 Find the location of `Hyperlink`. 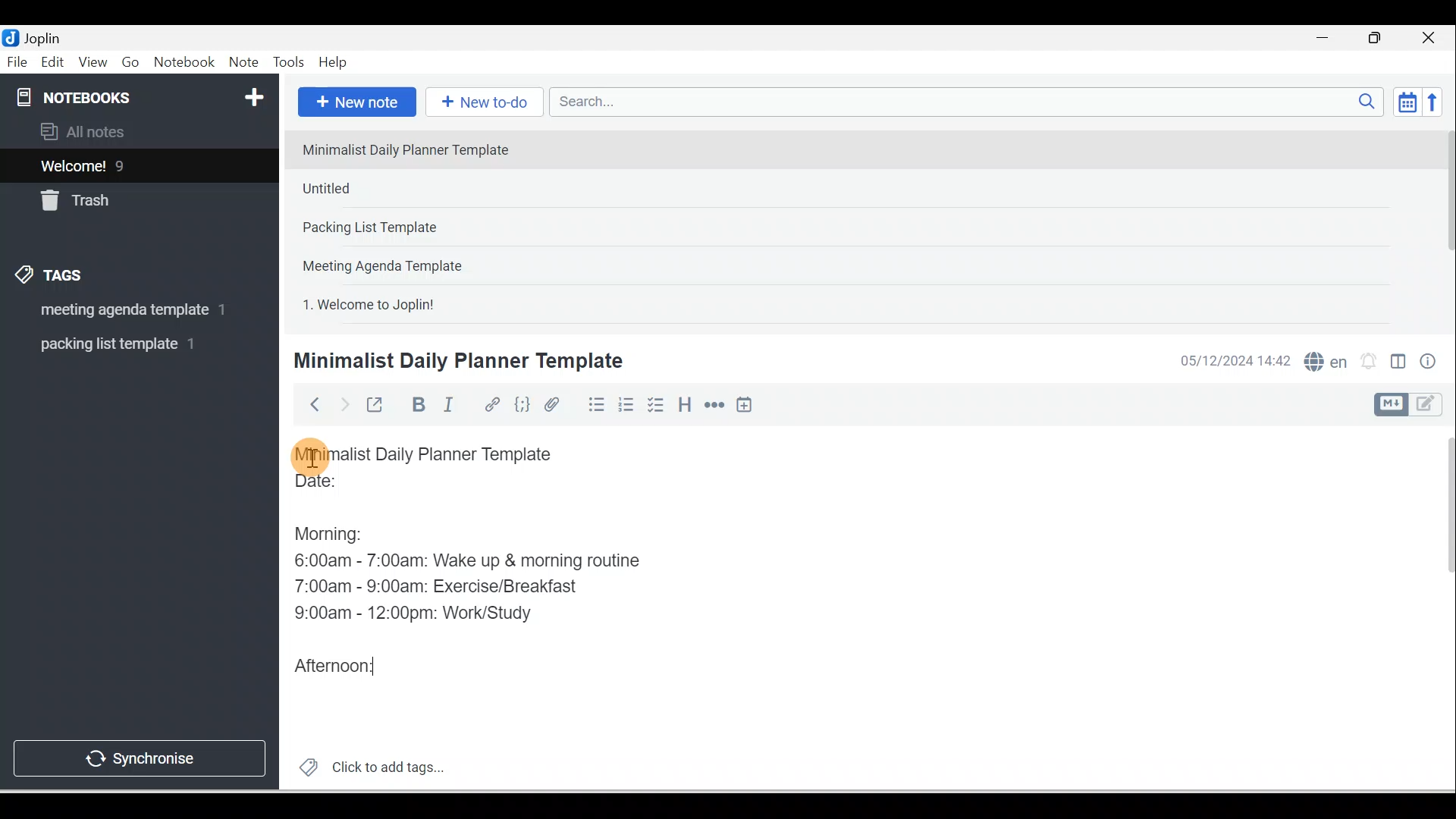

Hyperlink is located at coordinates (491, 406).